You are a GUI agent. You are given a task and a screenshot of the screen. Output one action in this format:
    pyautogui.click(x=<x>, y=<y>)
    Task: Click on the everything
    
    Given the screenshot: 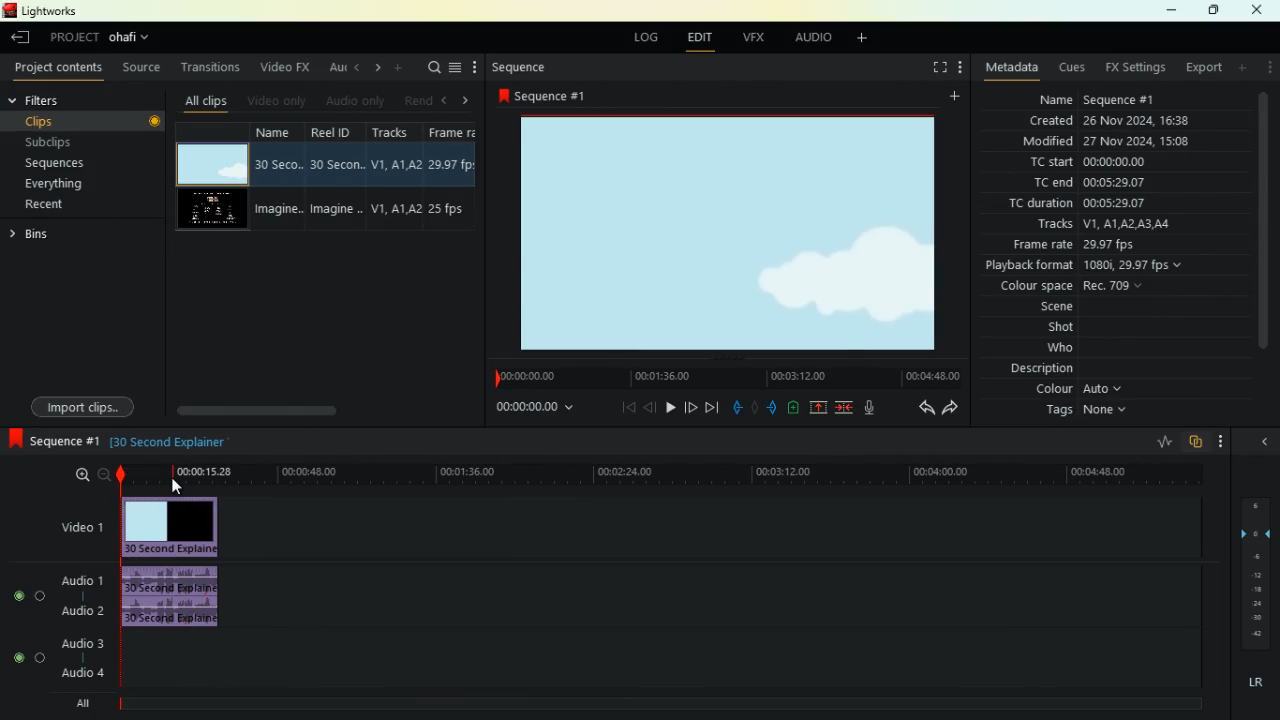 What is the action you would take?
    pyautogui.click(x=62, y=184)
    